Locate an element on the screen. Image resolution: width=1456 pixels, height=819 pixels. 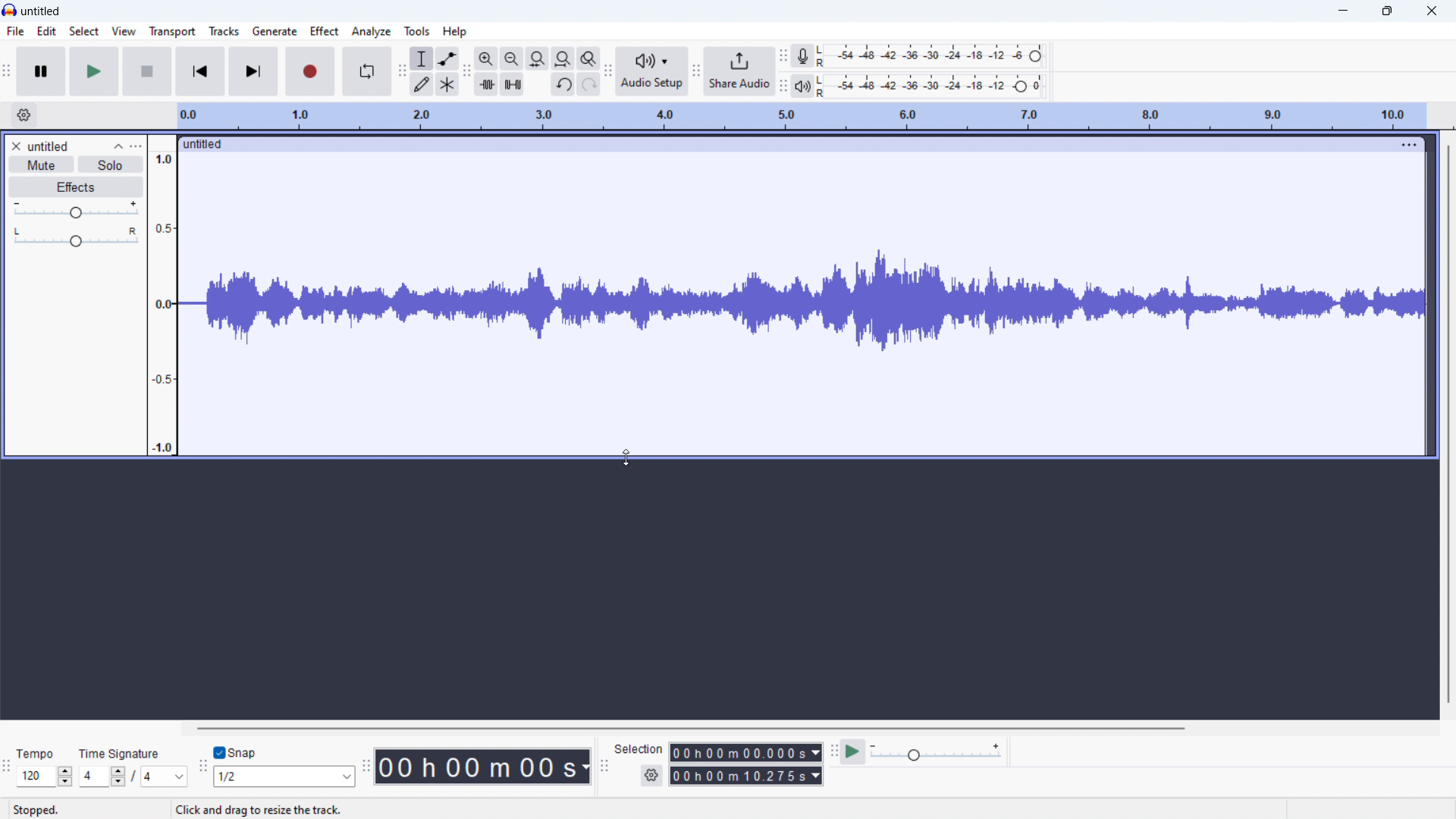
click to move is located at coordinates (782, 143).